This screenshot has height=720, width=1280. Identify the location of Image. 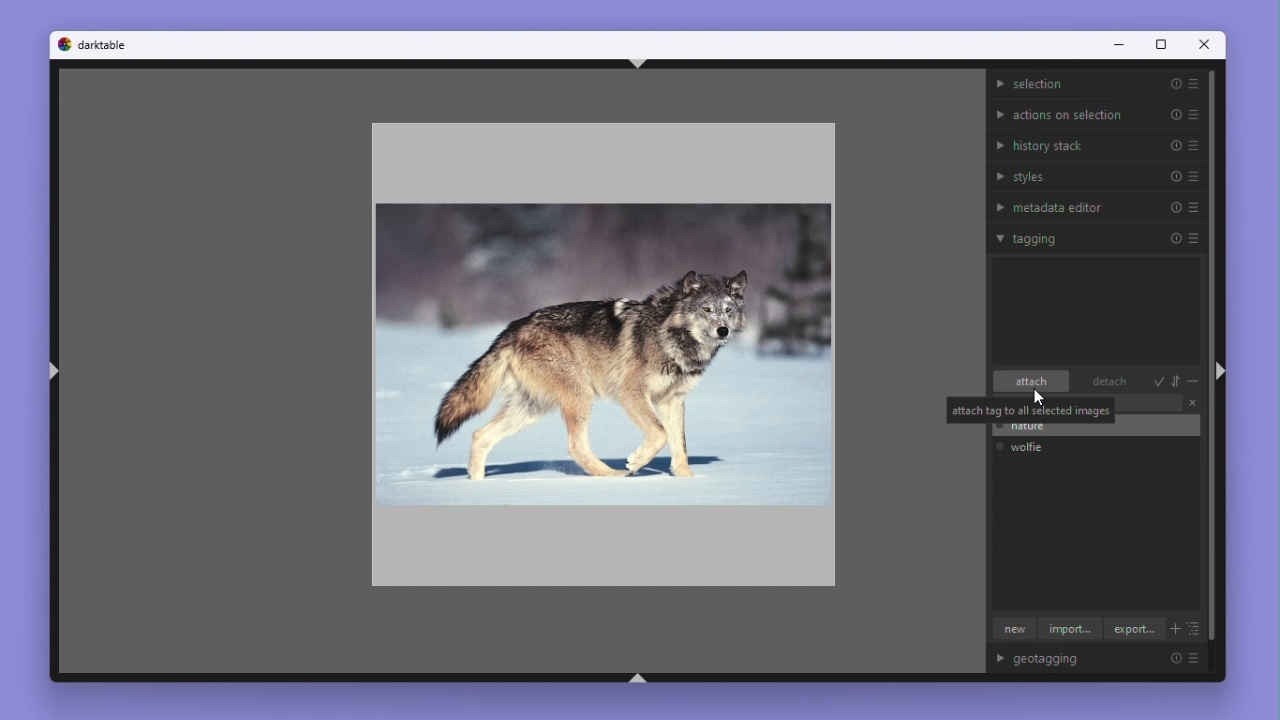
(599, 348).